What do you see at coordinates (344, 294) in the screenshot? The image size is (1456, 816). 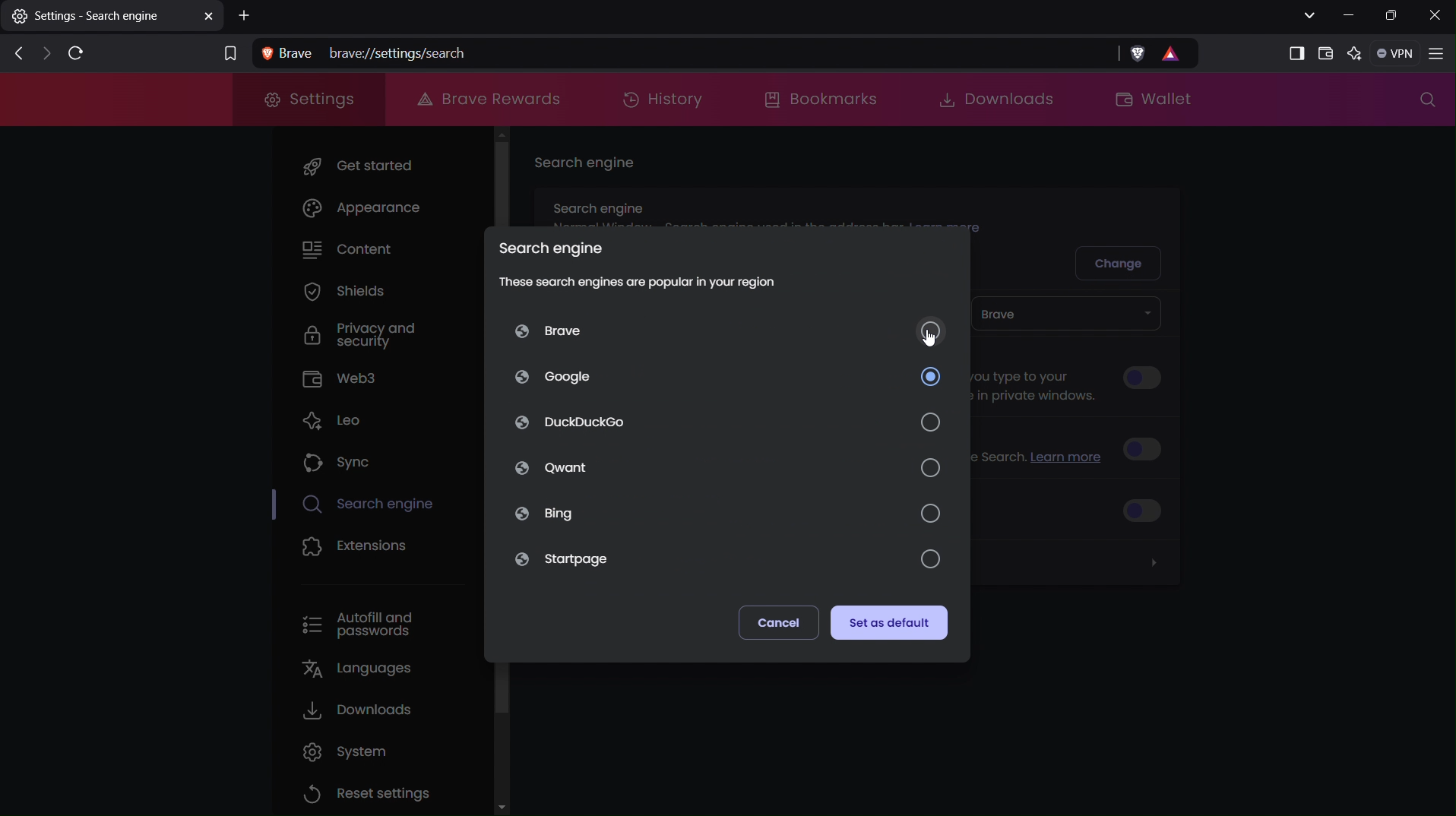 I see `Shields` at bounding box center [344, 294].